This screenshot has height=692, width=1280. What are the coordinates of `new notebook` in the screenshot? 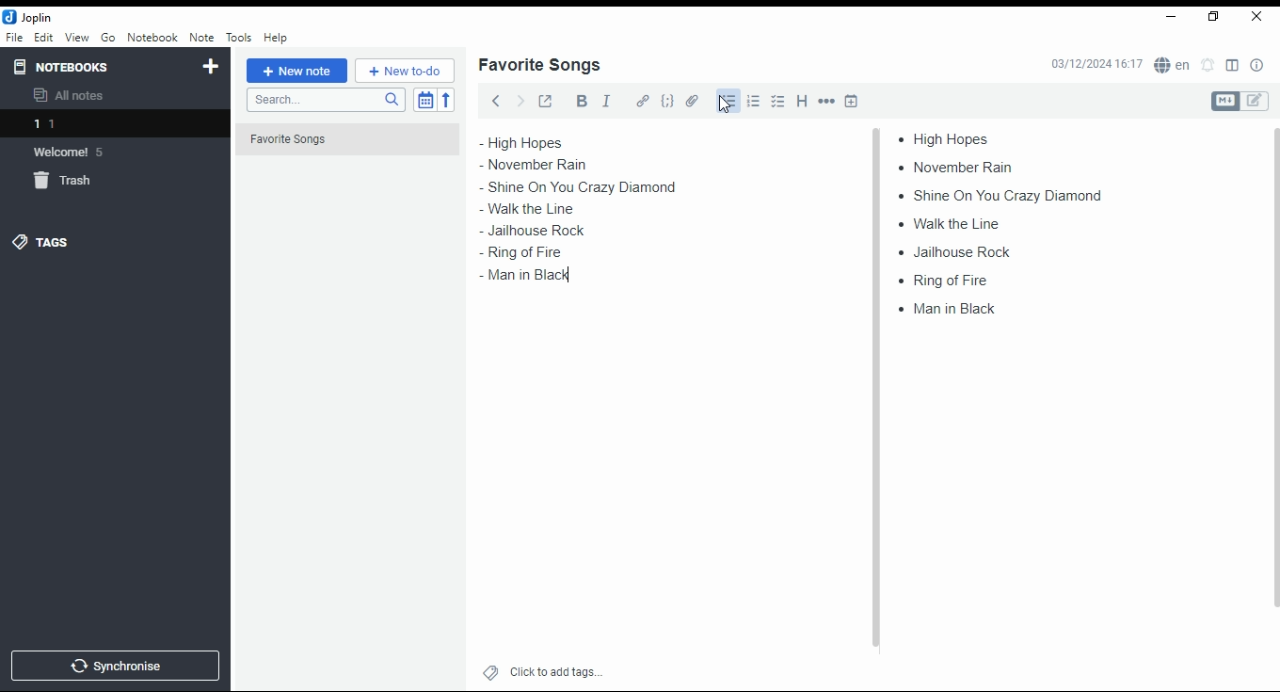 It's located at (211, 67).